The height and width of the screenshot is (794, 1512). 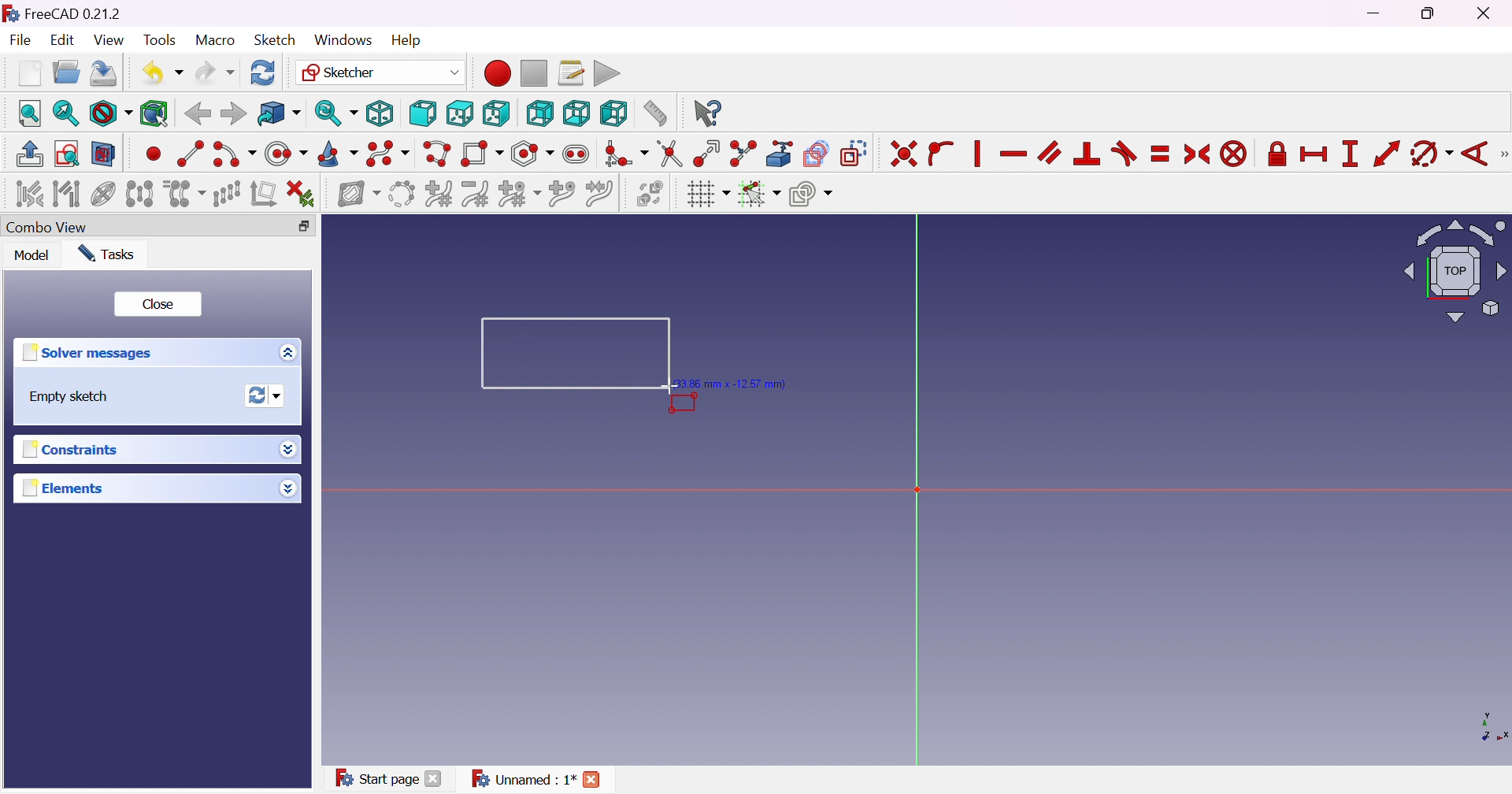 What do you see at coordinates (1162, 155) in the screenshot?
I see `Constrain equal` at bounding box center [1162, 155].